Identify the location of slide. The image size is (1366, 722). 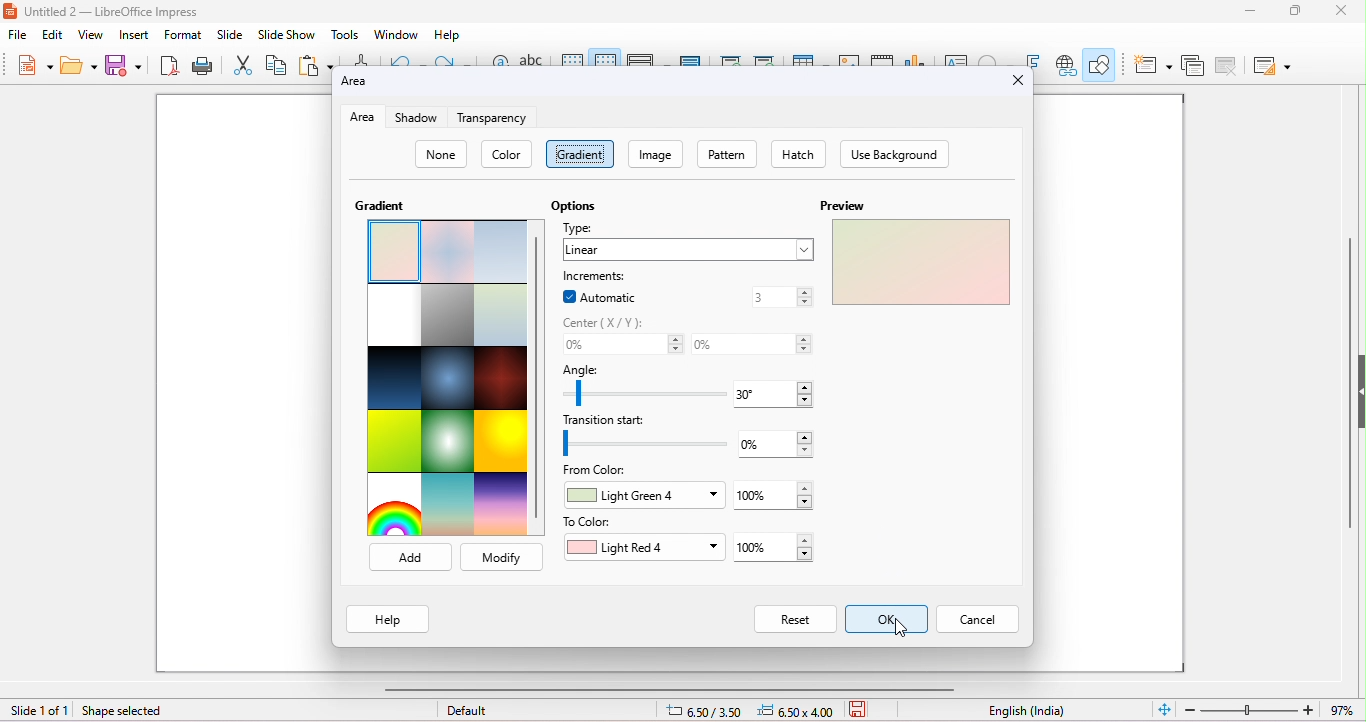
(230, 34).